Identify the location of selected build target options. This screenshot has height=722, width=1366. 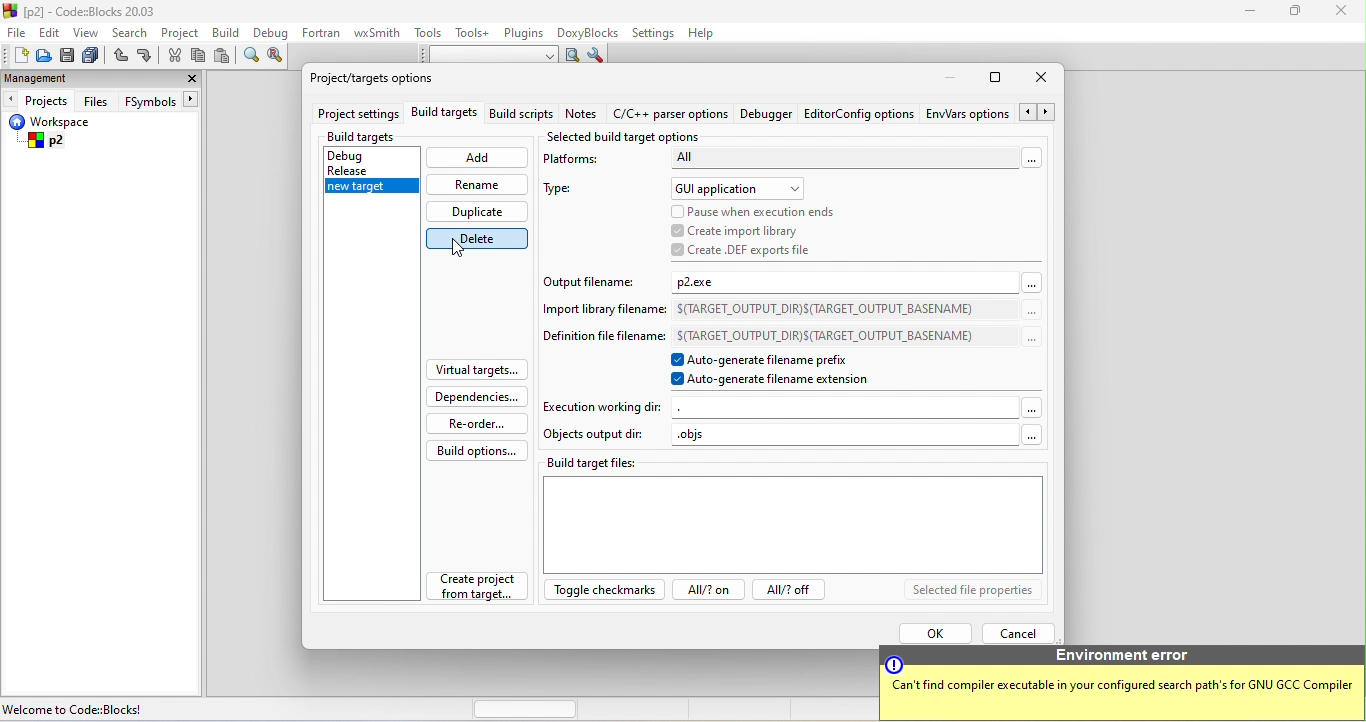
(626, 136).